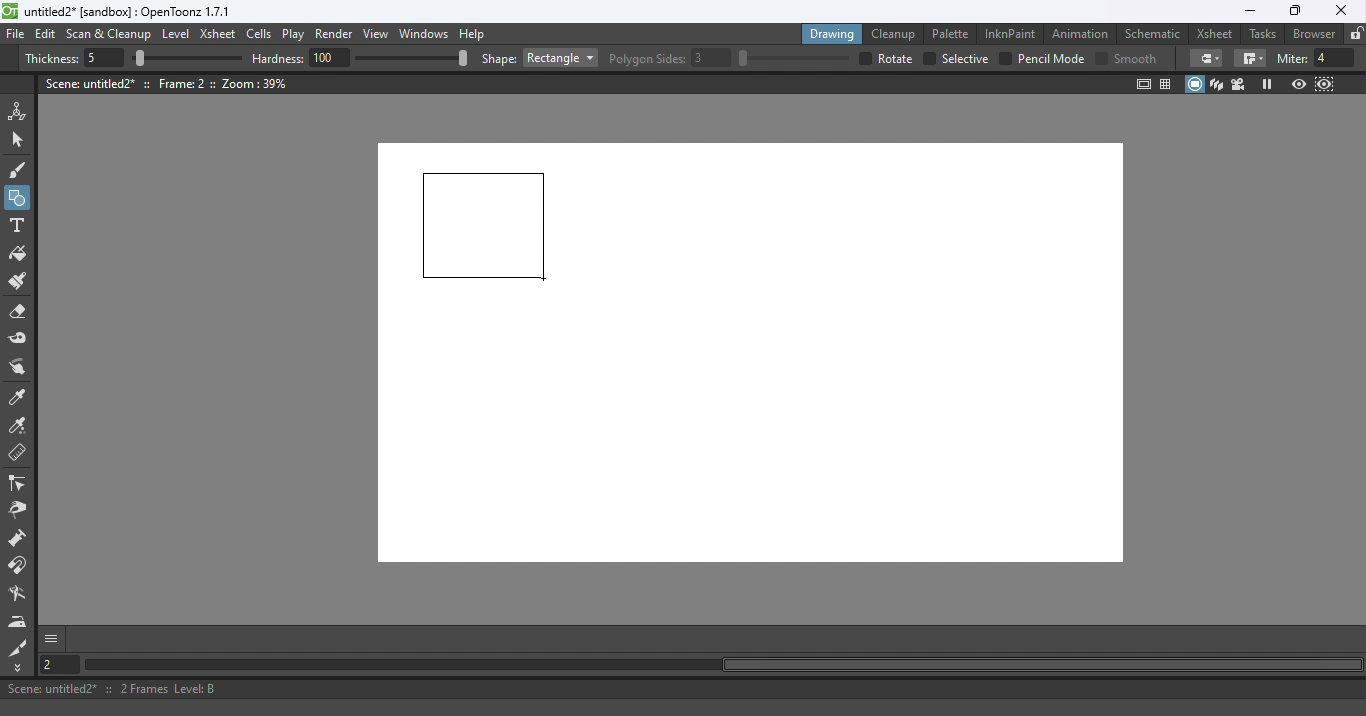  What do you see at coordinates (16, 35) in the screenshot?
I see `File` at bounding box center [16, 35].